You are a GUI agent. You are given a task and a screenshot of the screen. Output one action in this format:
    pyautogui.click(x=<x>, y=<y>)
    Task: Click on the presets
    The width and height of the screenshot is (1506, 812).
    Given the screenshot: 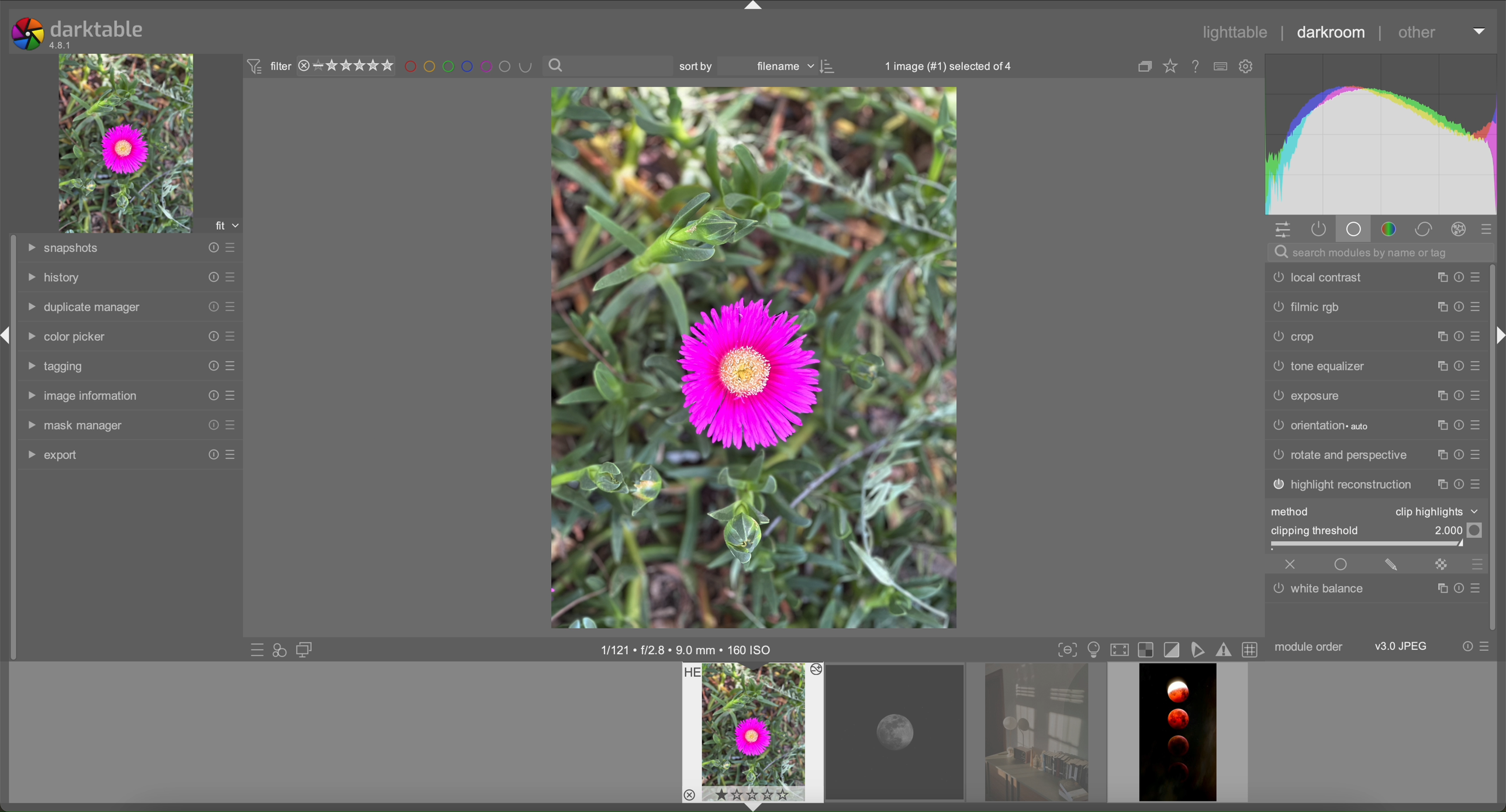 What is the action you would take?
    pyautogui.click(x=231, y=307)
    